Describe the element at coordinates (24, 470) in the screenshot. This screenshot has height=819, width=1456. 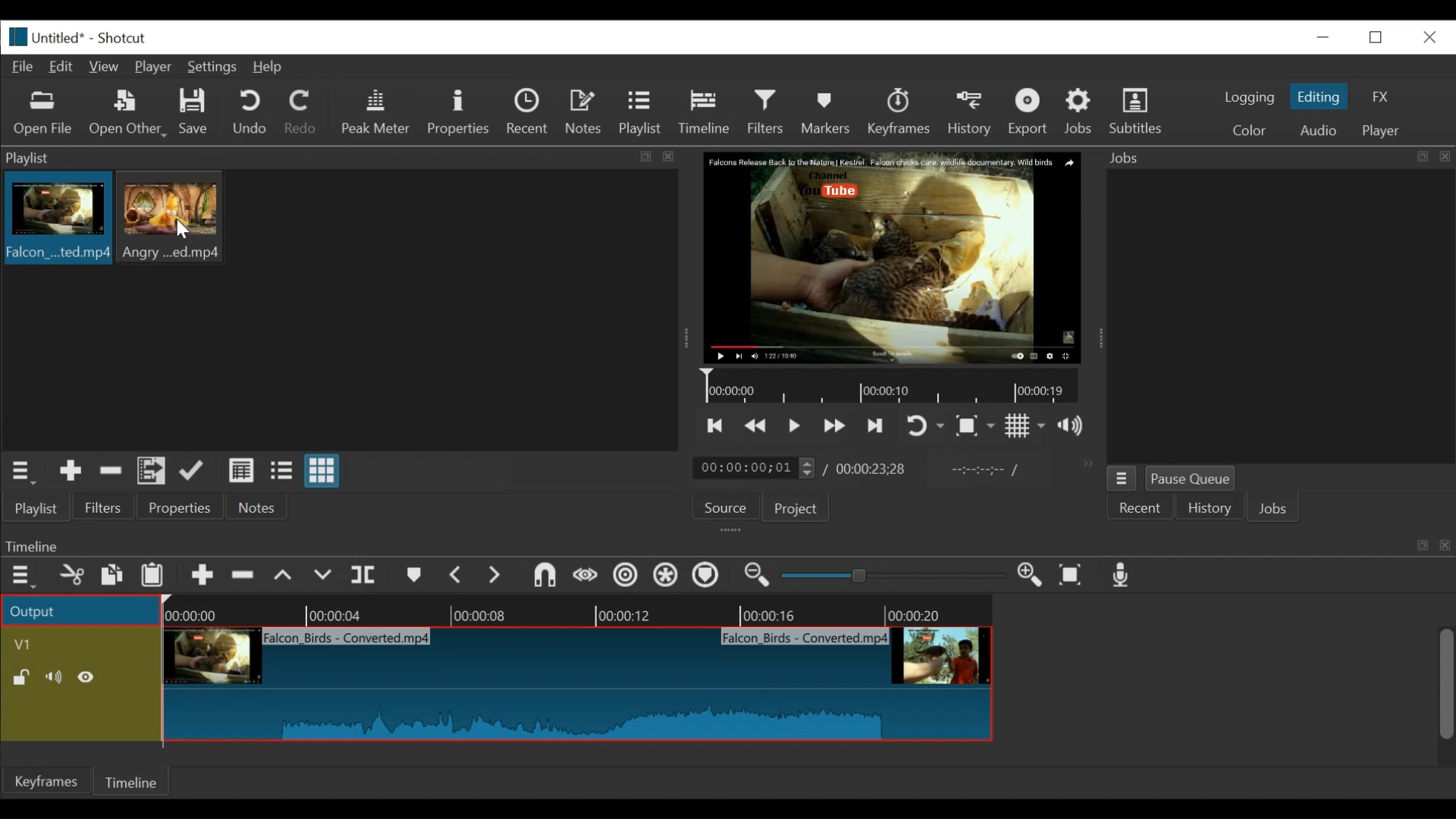
I see `playlist menu` at that location.